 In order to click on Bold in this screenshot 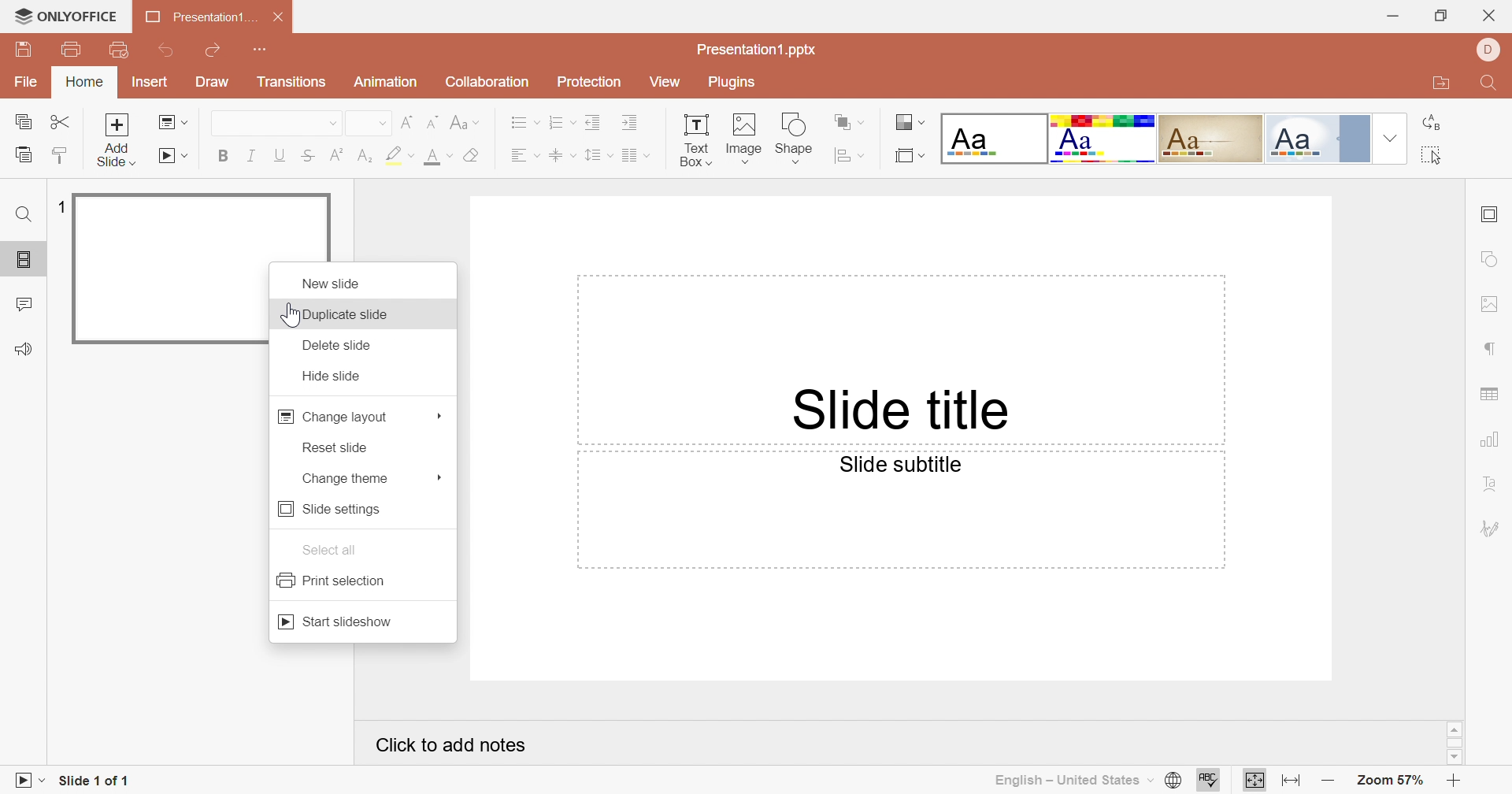, I will do `click(224, 154)`.